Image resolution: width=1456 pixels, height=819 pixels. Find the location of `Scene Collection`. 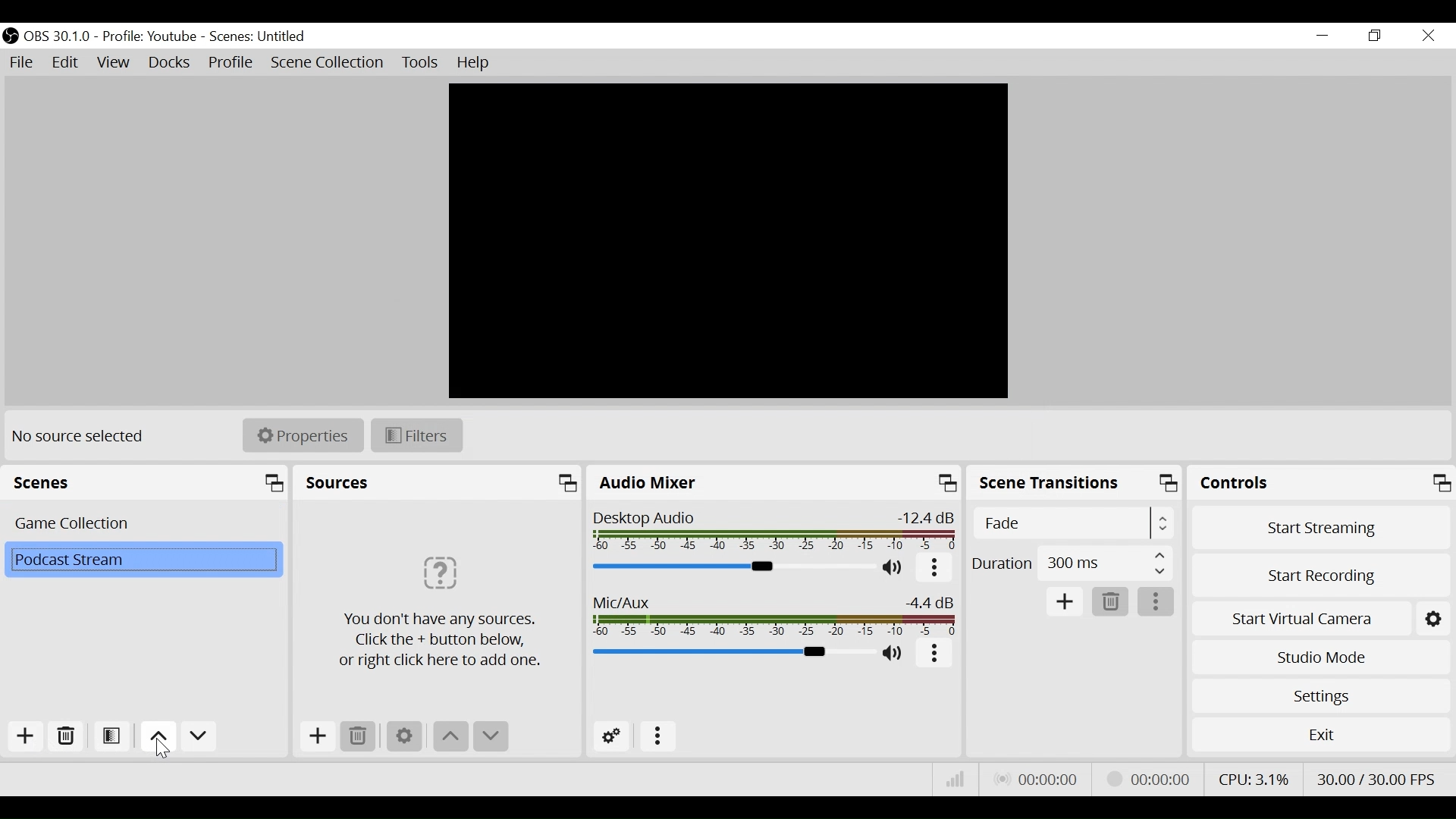

Scene Collection is located at coordinates (329, 63).